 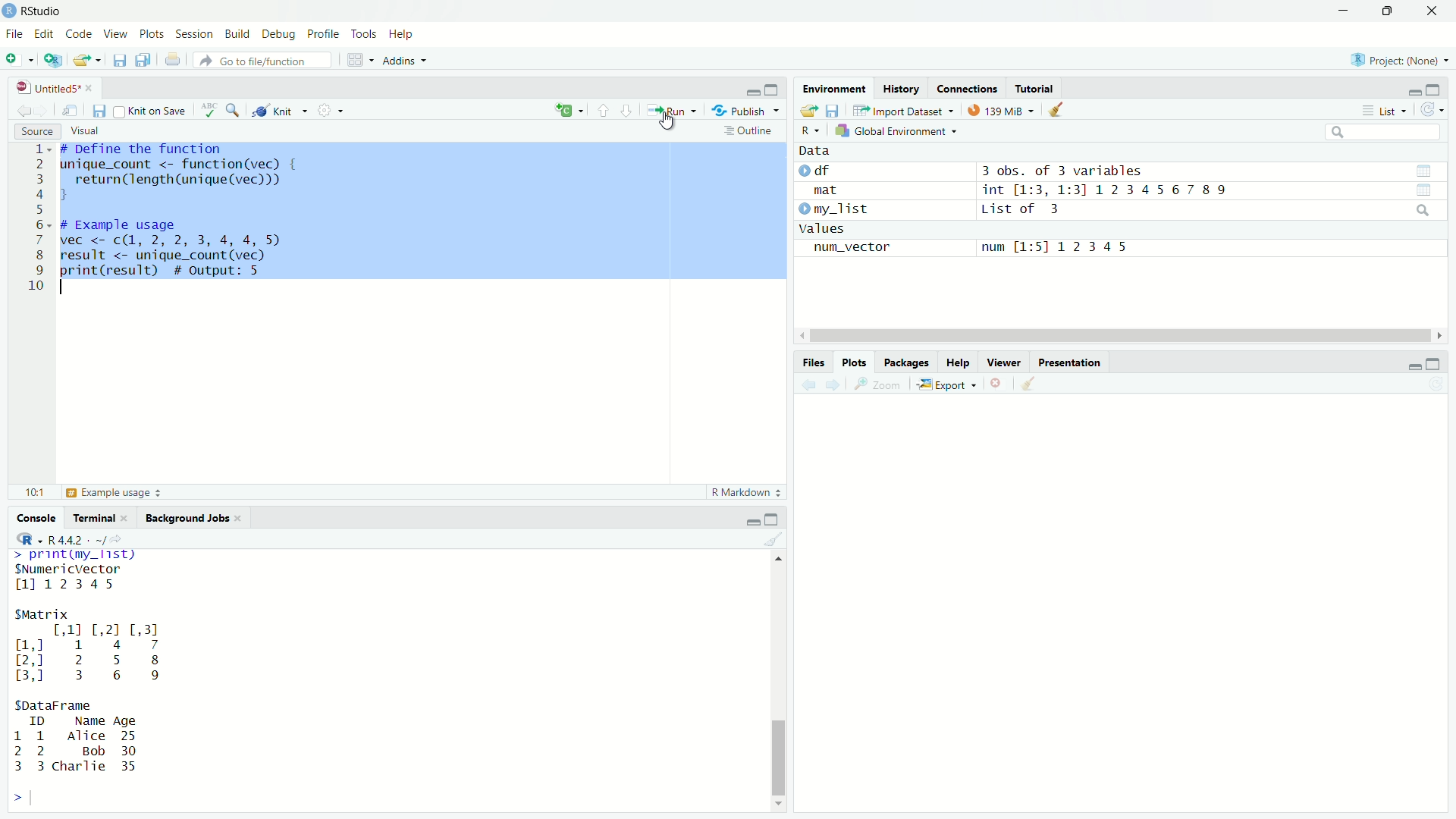 I want to click on view data, so click(x=1423, y=170).